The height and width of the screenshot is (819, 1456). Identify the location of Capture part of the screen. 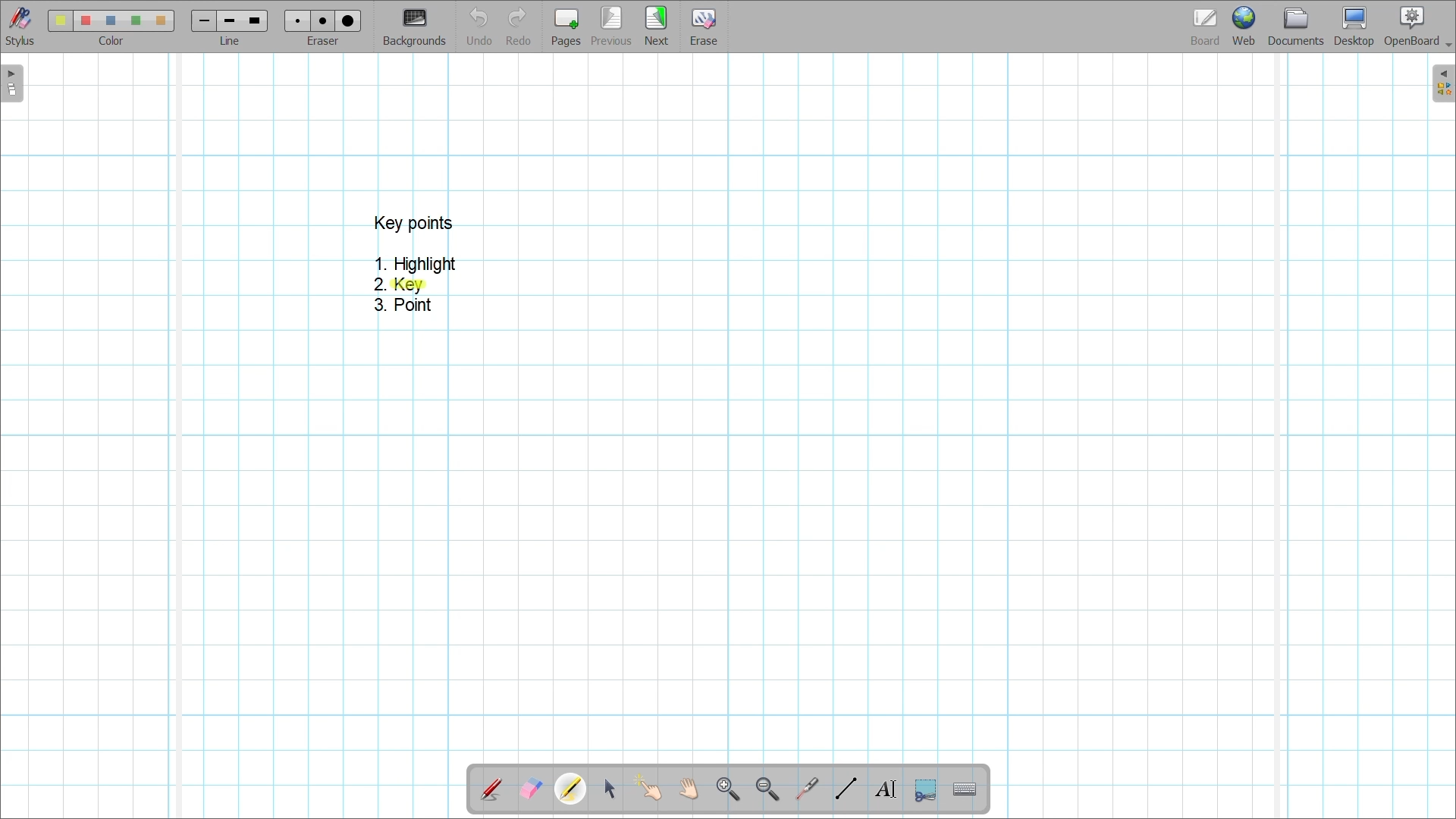
(926, 791).